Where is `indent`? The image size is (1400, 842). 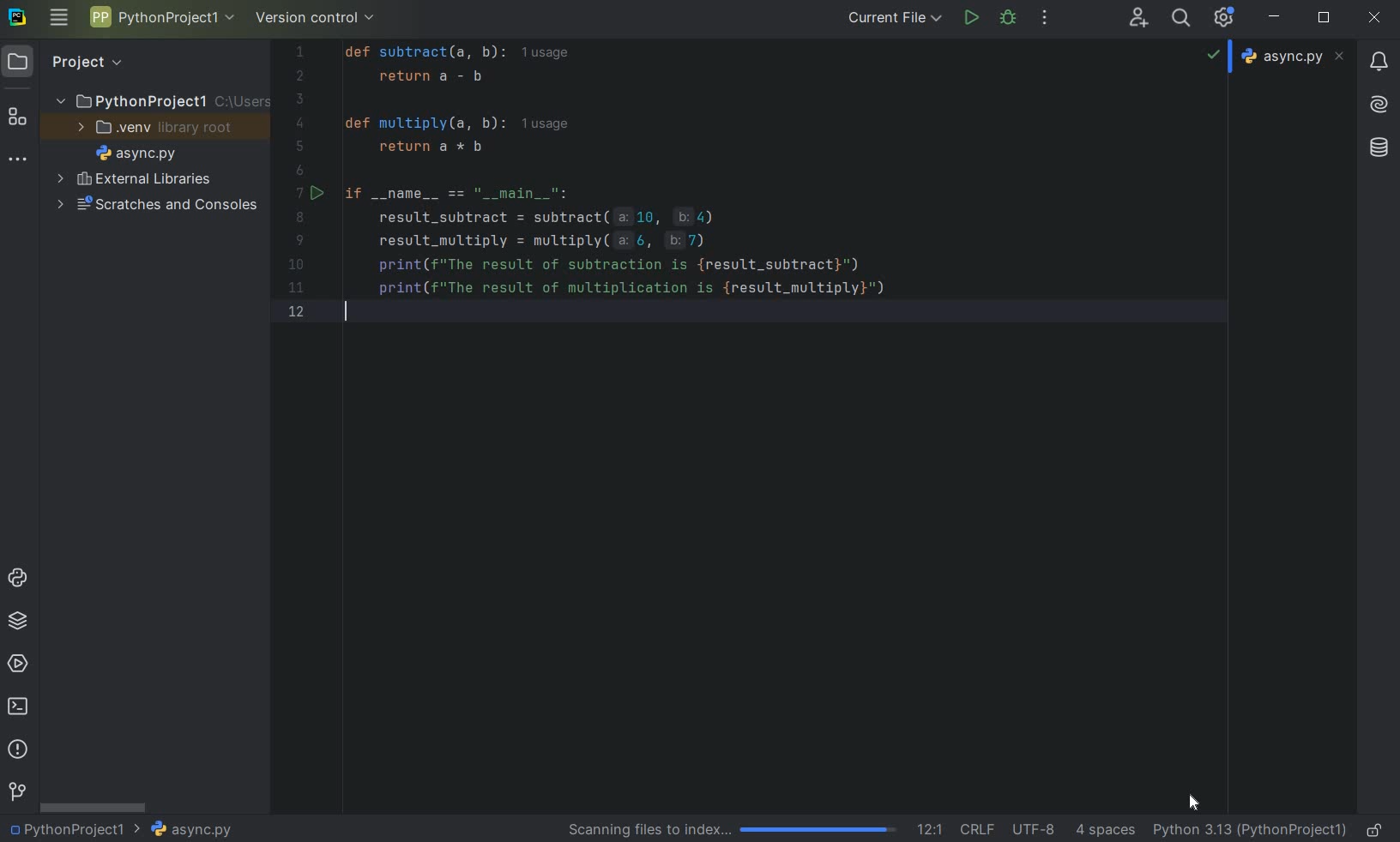
indent is located at coordinates (1107, 832).